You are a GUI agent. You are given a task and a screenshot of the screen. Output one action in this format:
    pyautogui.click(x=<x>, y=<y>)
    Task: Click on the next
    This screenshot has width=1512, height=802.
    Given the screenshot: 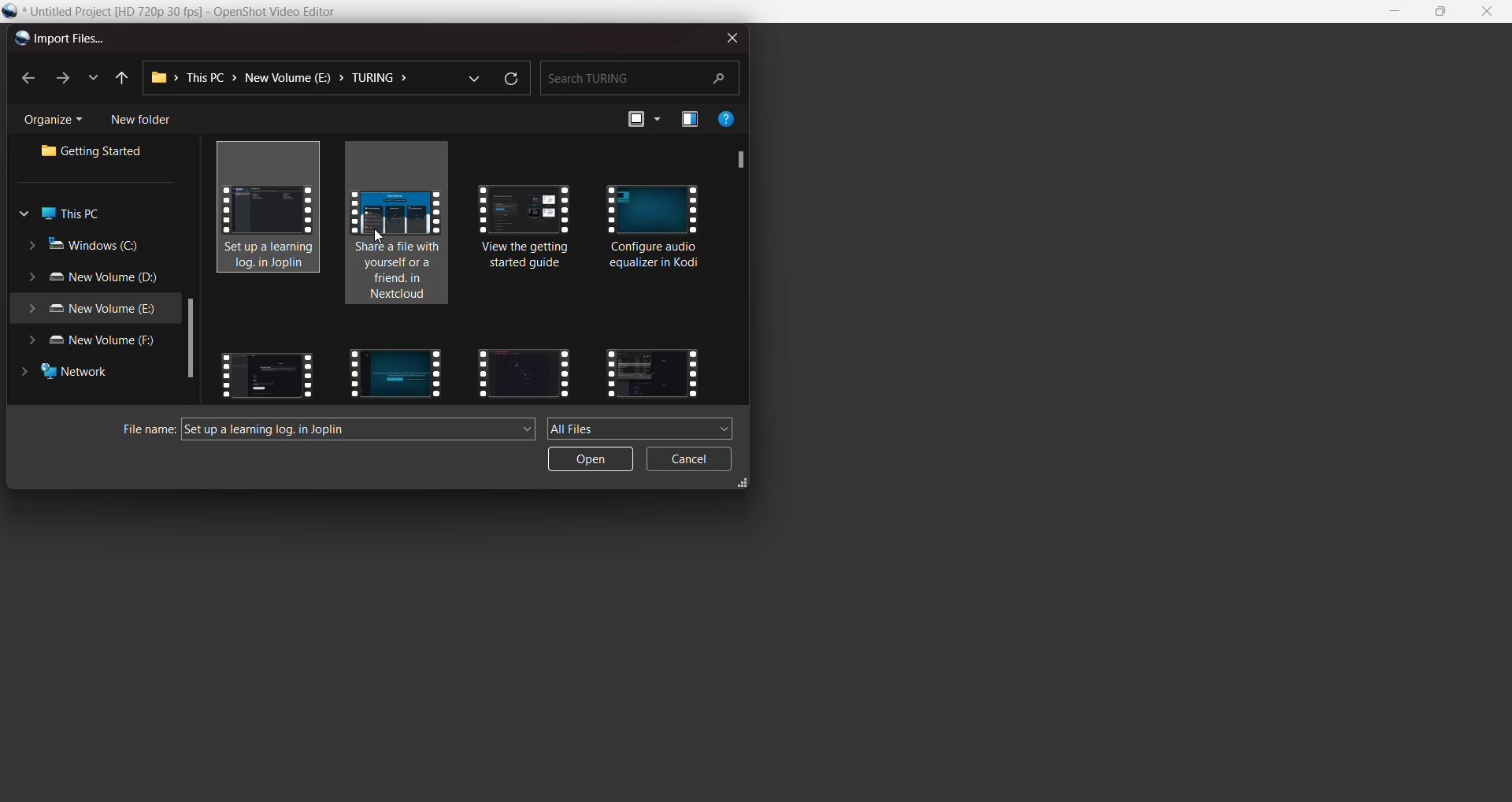 What is the action you would take?
    pyautogui.click(x=61, y=78)
    